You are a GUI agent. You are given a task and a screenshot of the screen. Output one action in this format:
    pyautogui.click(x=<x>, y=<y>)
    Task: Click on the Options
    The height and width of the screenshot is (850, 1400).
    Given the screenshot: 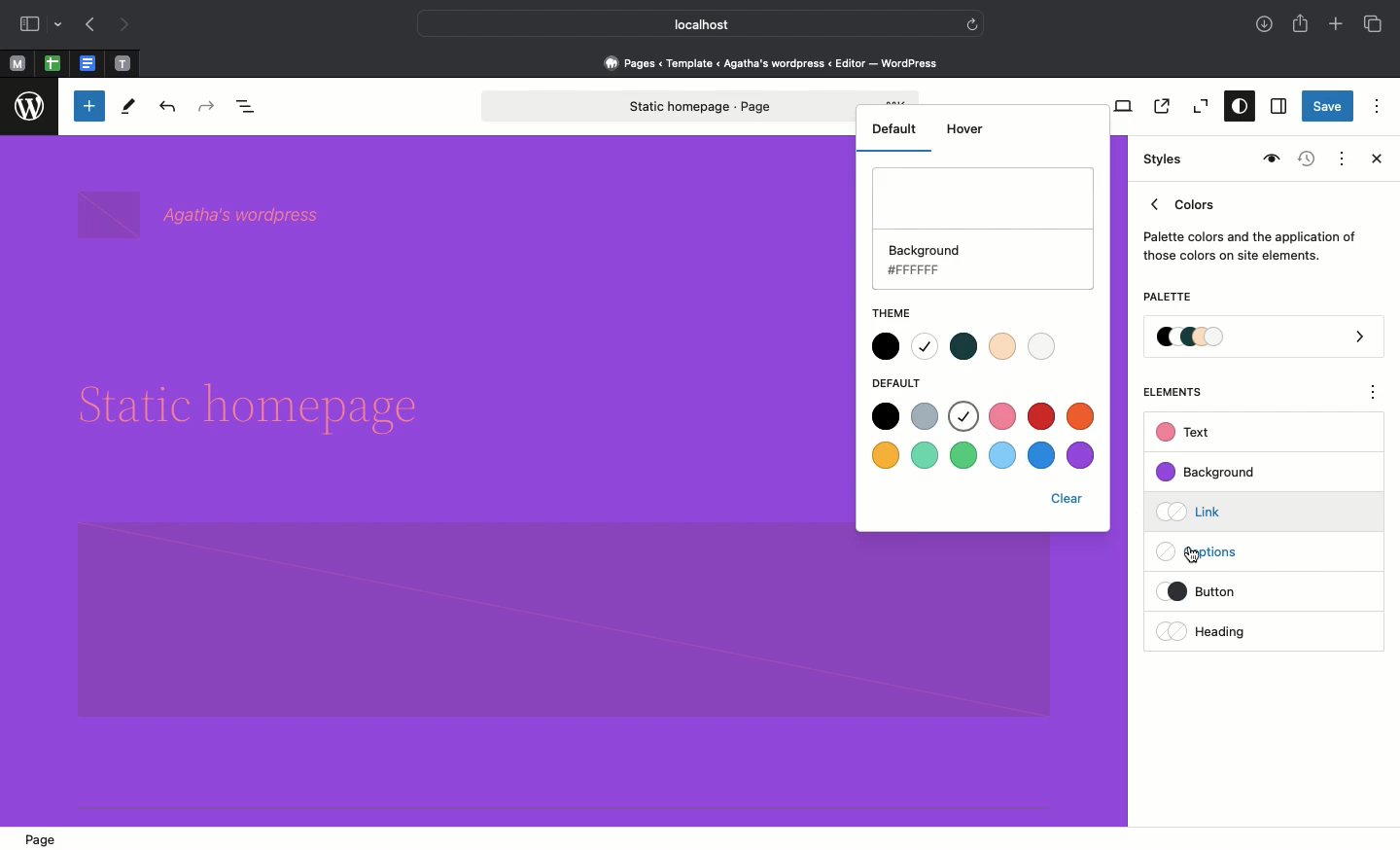 What is the action you would take?
    pyautogui.click(x=1377, y=105)
    